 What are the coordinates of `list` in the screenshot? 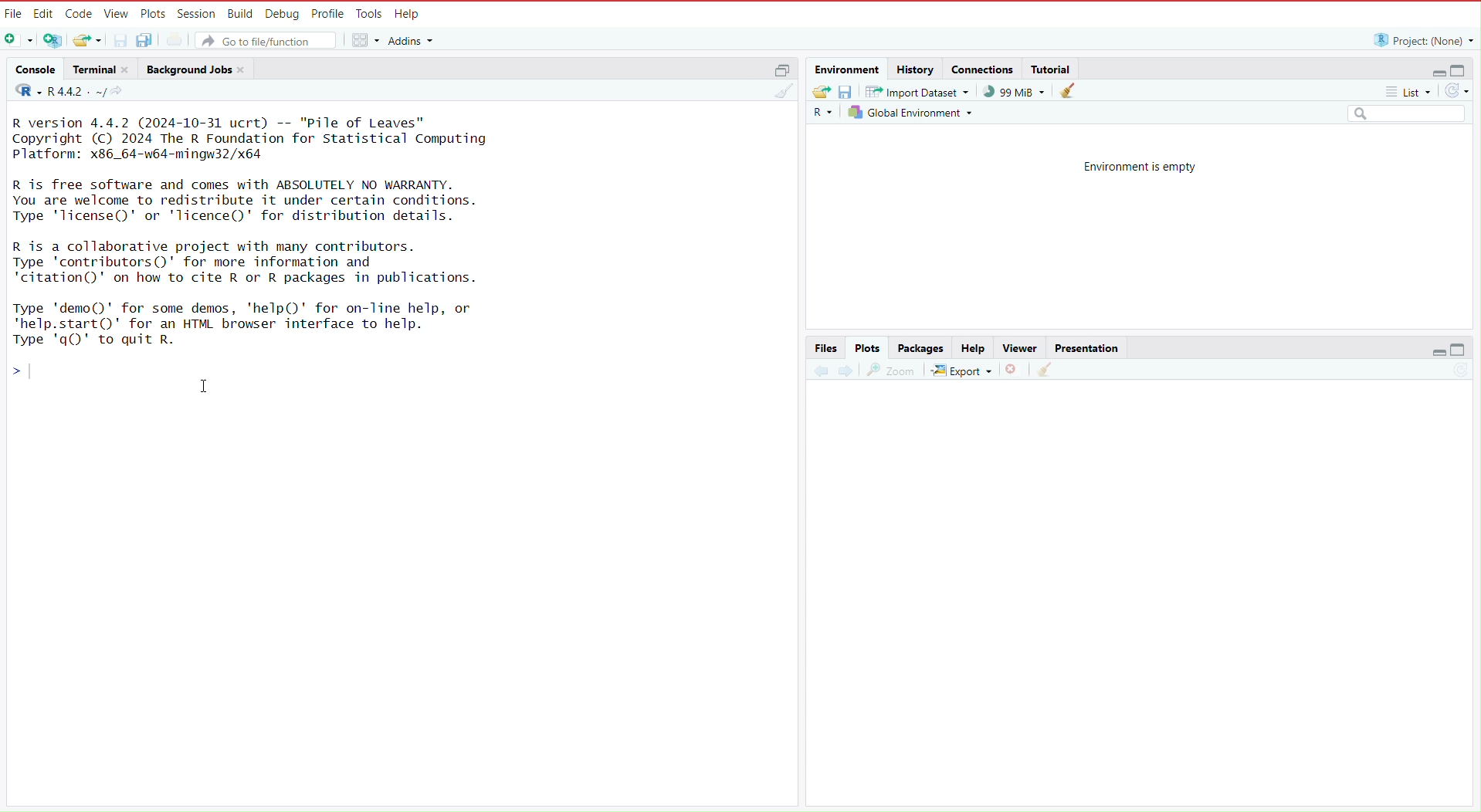 It's located at (1412, 93).